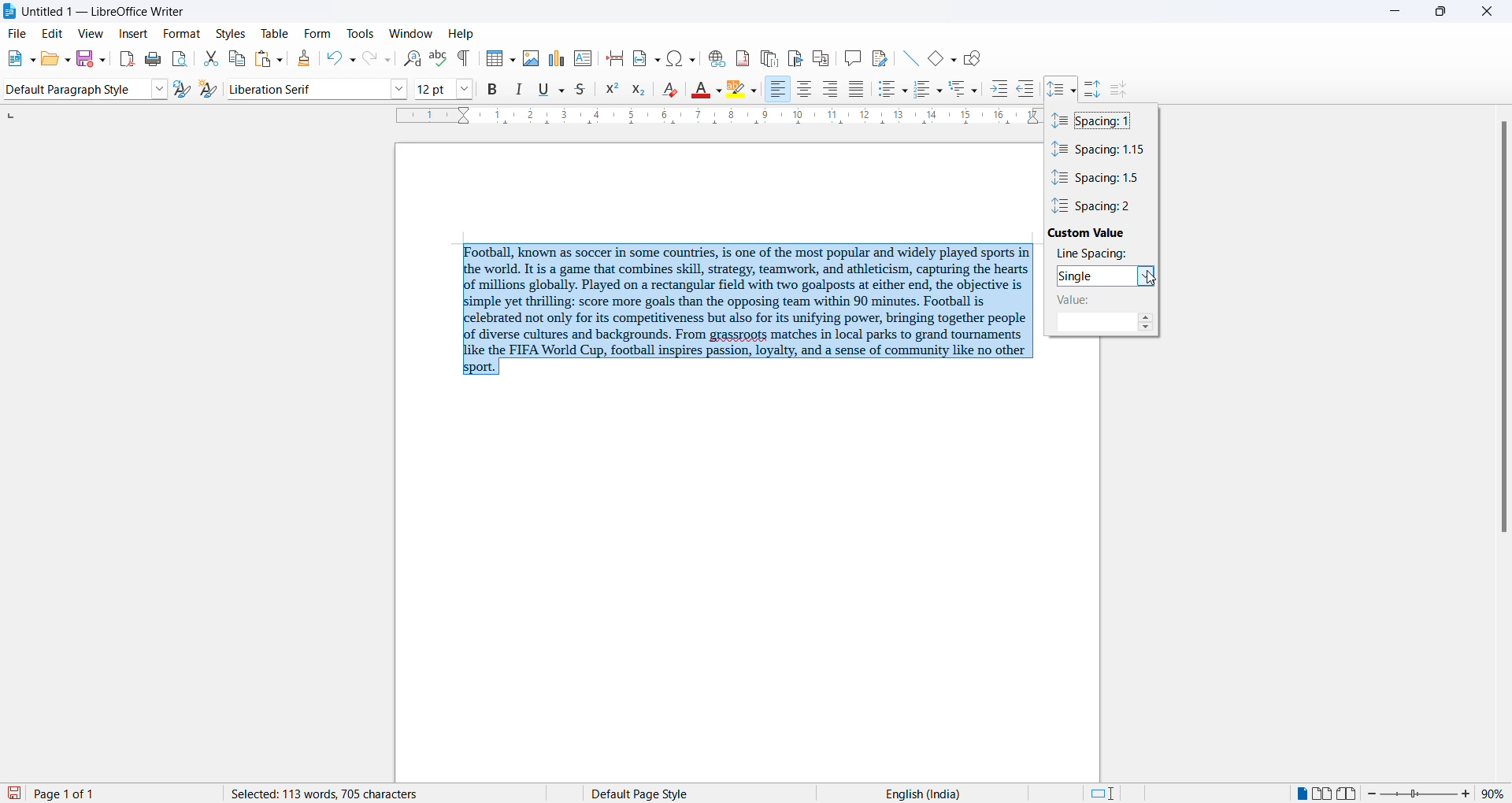 This screenshot has height=803, width=1512. Describe the element at coordinates (1495, 793) in the screenshot. I see `zoom percentage` at that location.